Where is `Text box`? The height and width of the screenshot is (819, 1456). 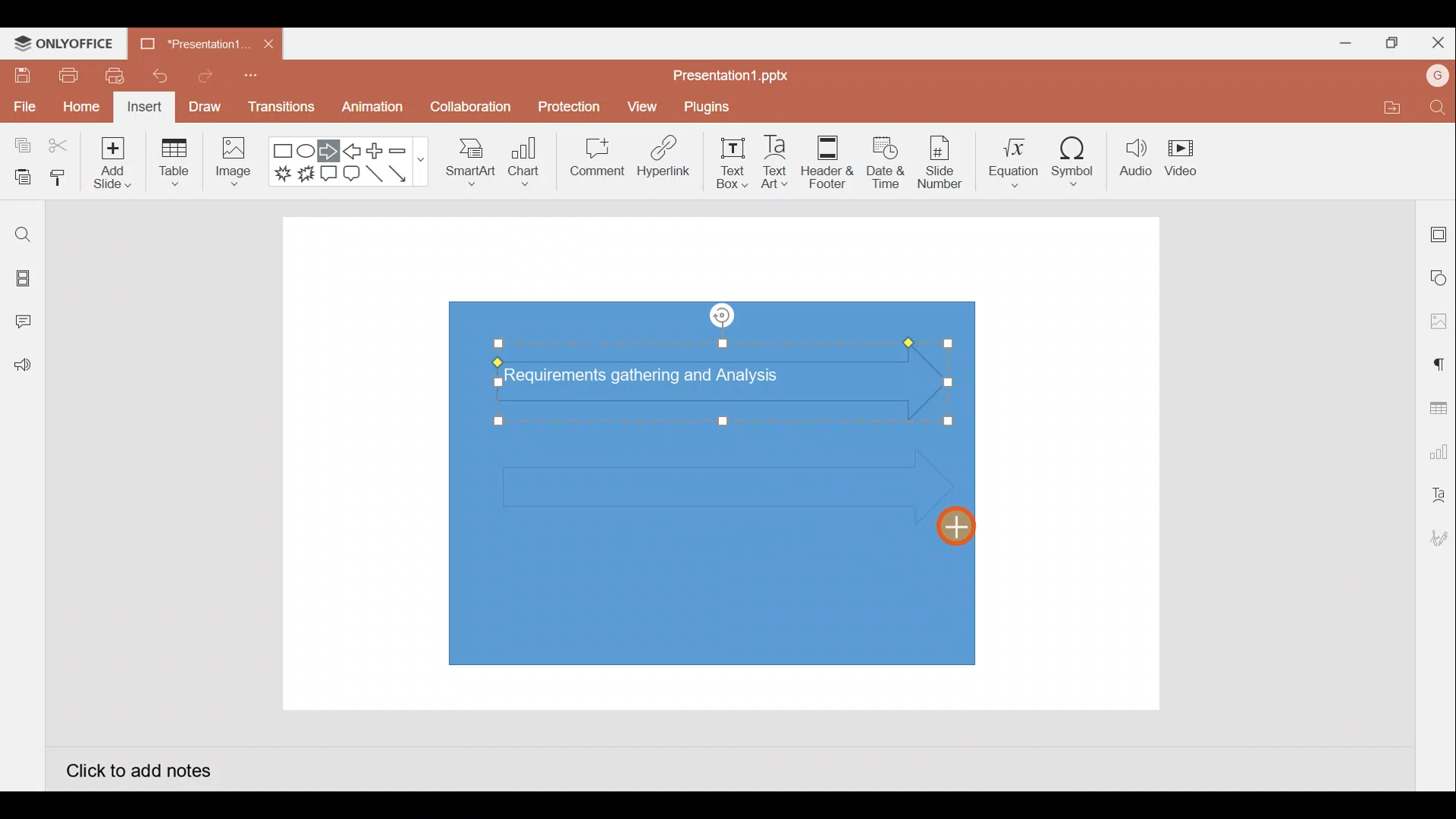
Text box is located at coordinates (733, 163).